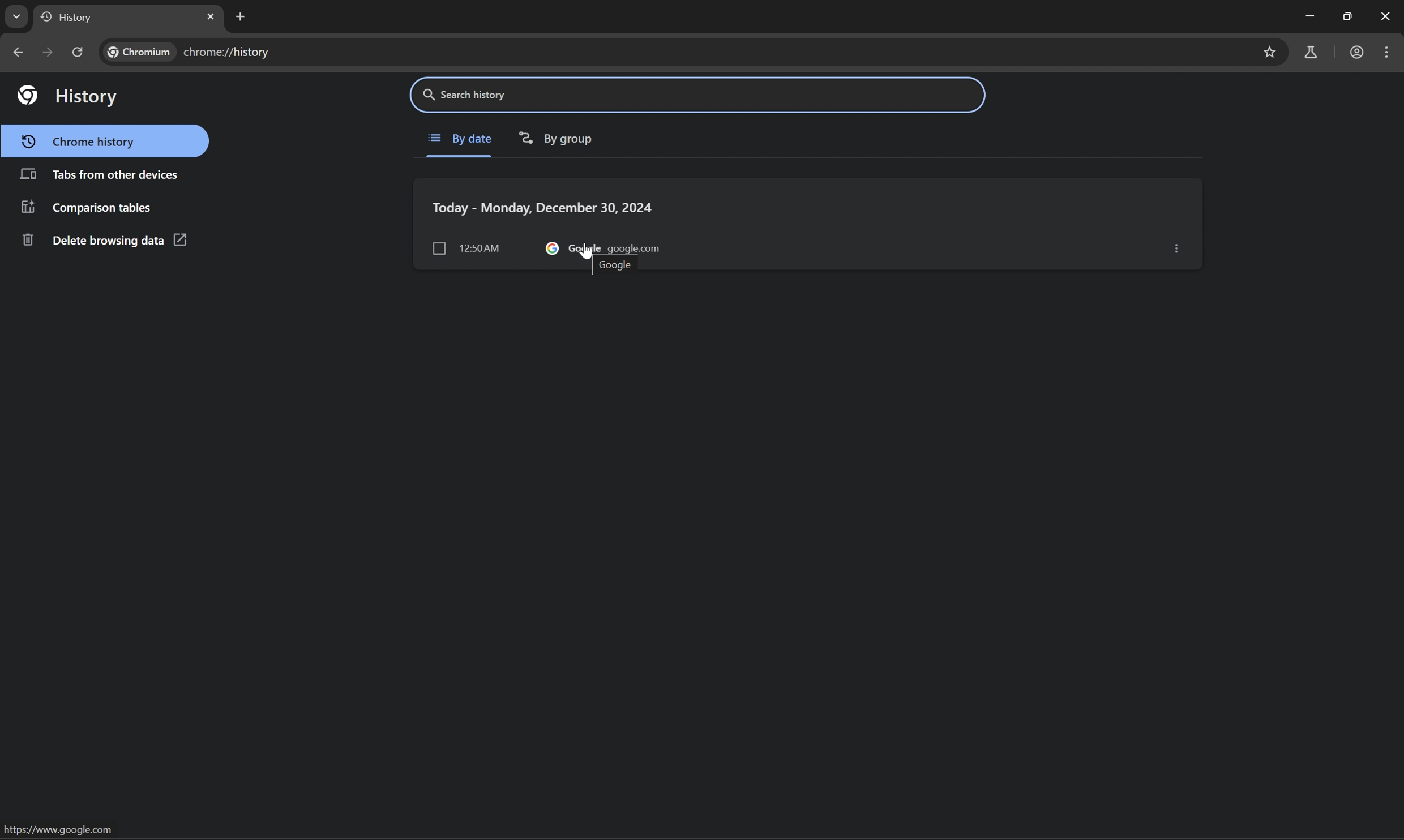 The image size is (1404, 840). What do you see at coordinates (1350, 16) in the screenshot?
I see `restore down` at bounding box center [1350, 16].